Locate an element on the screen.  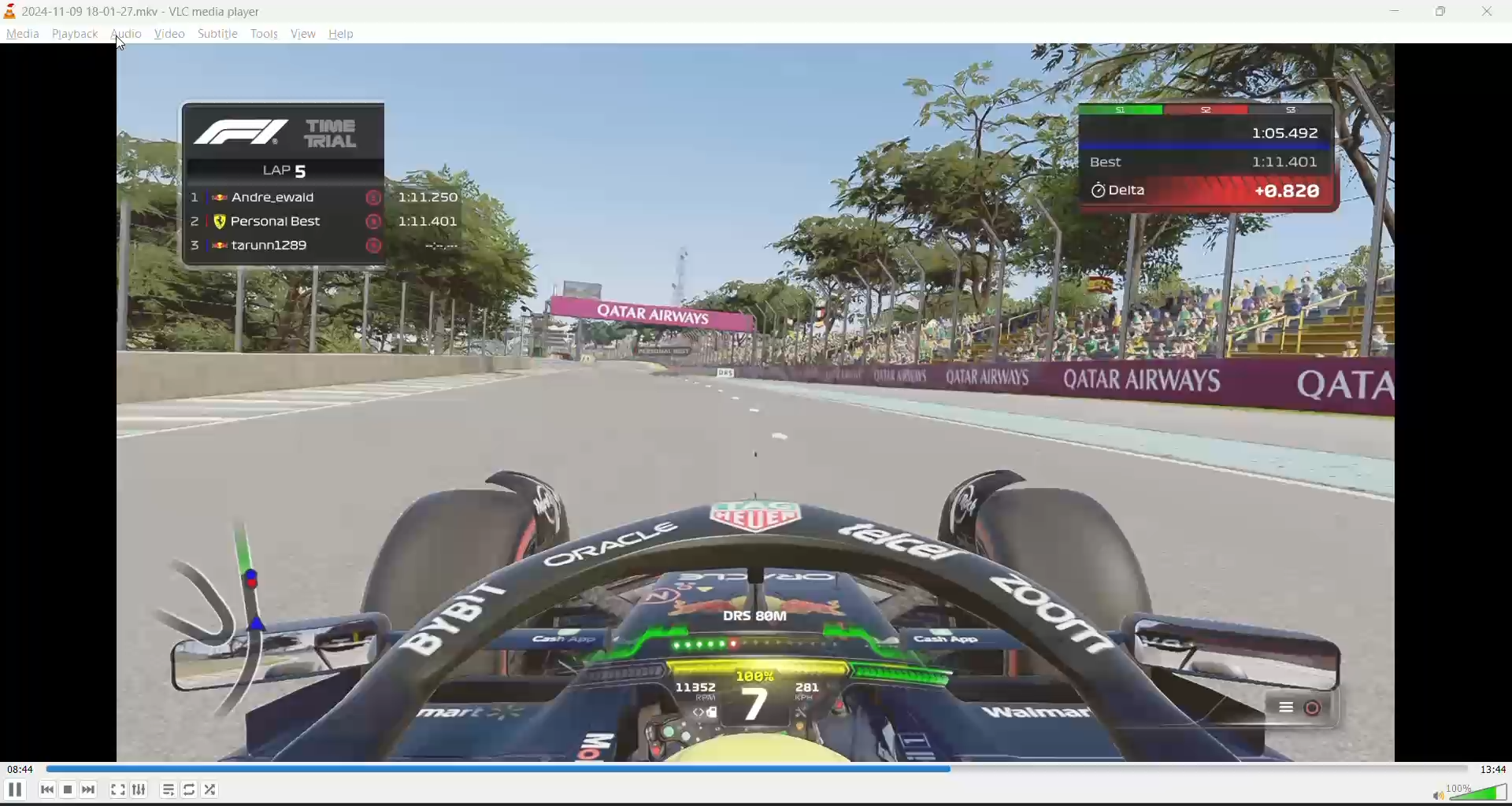
loop is located at coordinates (193, 788).